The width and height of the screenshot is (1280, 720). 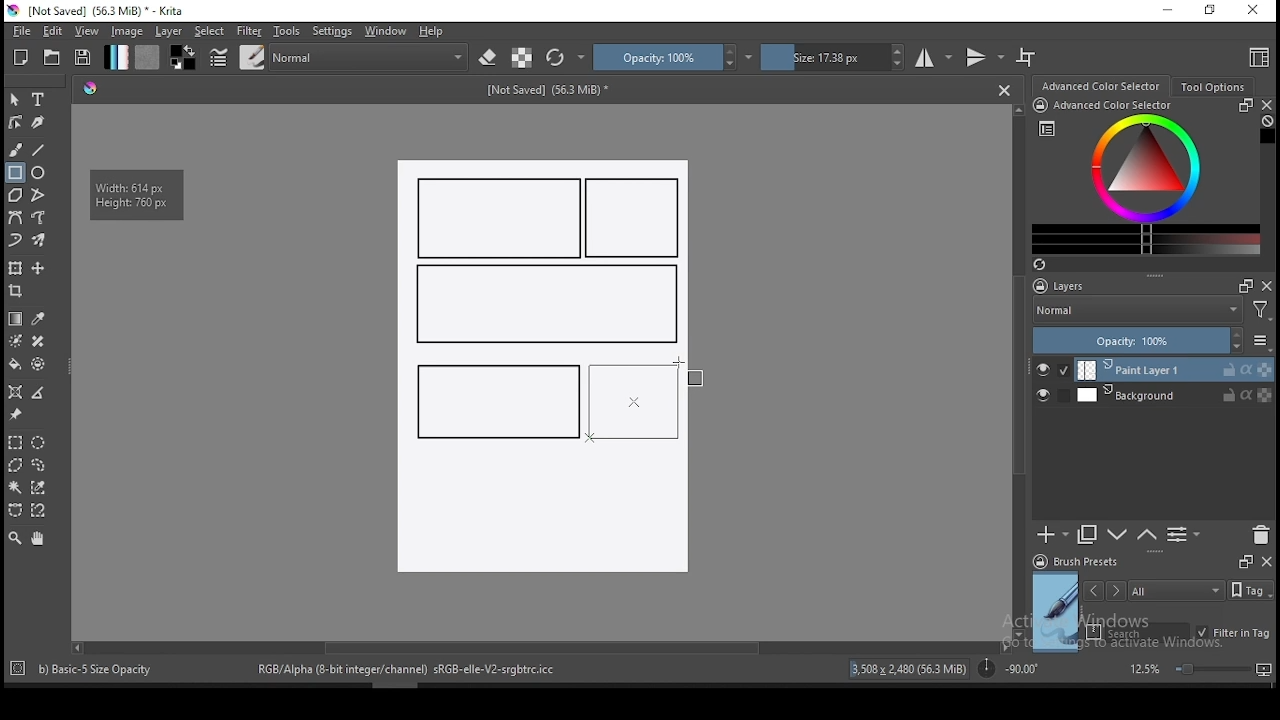 I want to click on scroll bar, so click(x=539, y=646).